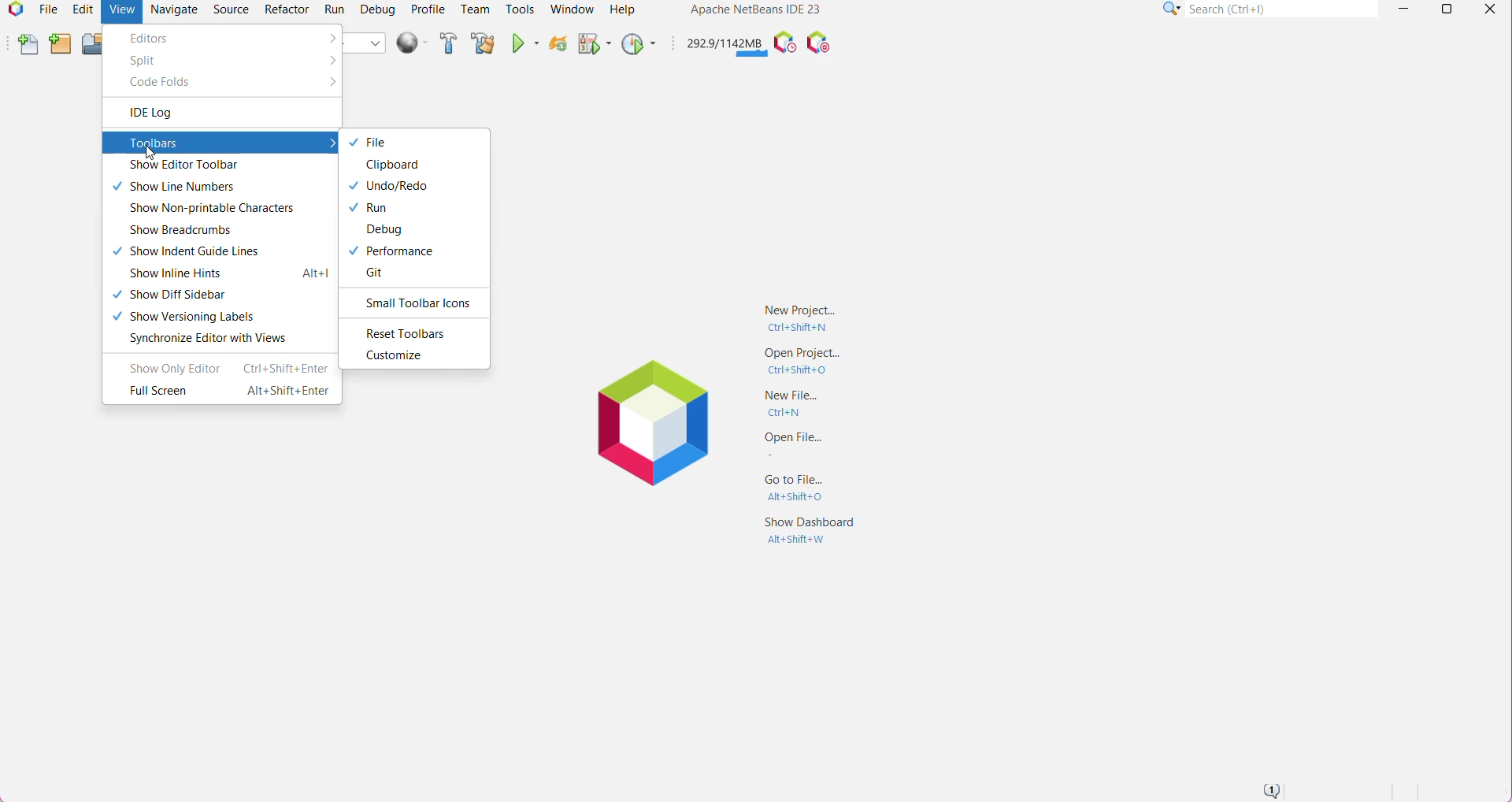  I want to click on Small Toolbar Icons, so click(417, 304).